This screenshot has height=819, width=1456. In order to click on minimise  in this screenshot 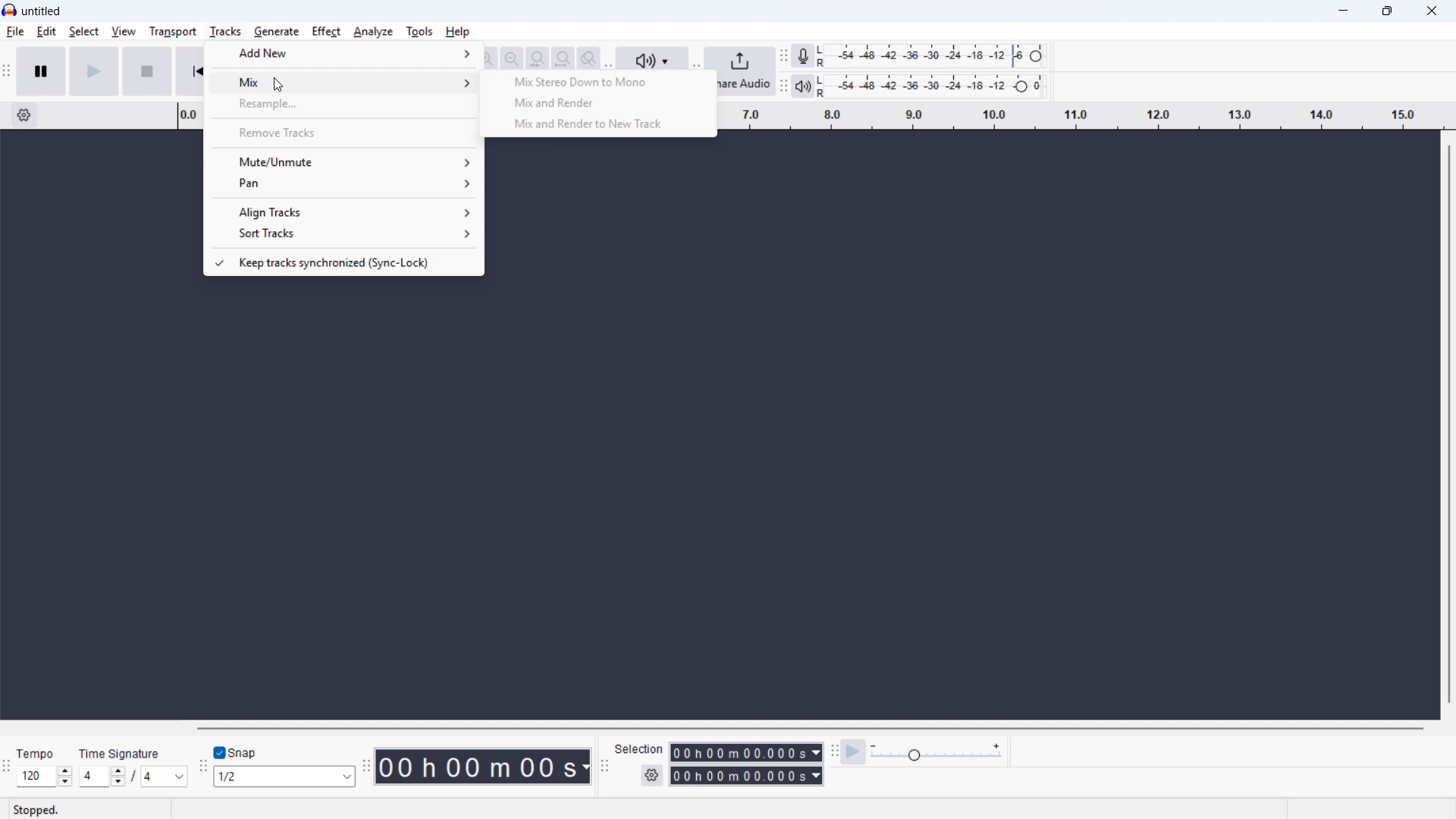, I will do `click(1340, 11)`.